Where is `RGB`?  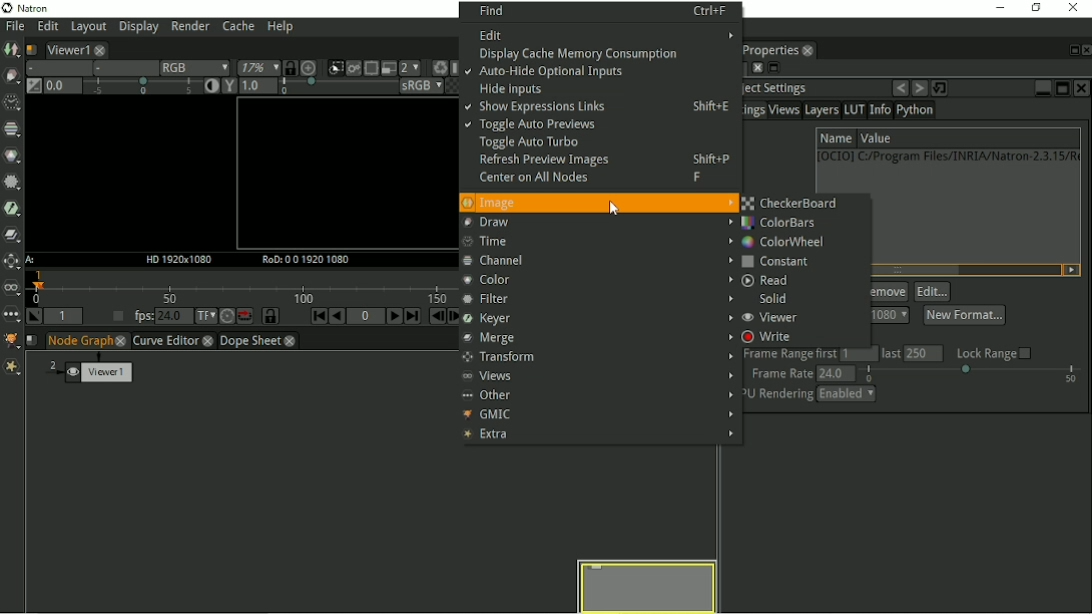 RGB is located at coordinates (191, 67).